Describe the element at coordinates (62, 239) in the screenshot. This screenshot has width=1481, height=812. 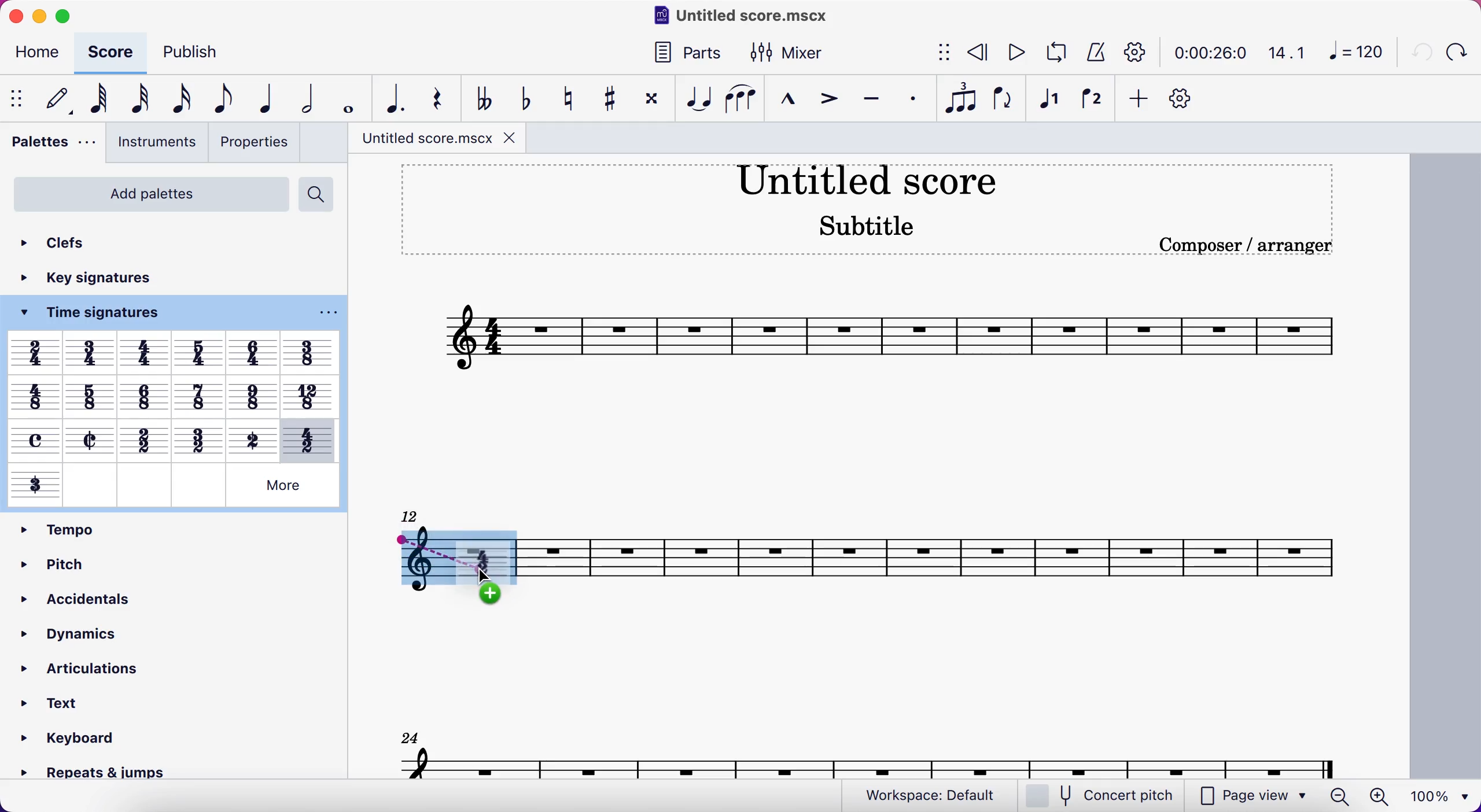
I see `clefs` at that location.